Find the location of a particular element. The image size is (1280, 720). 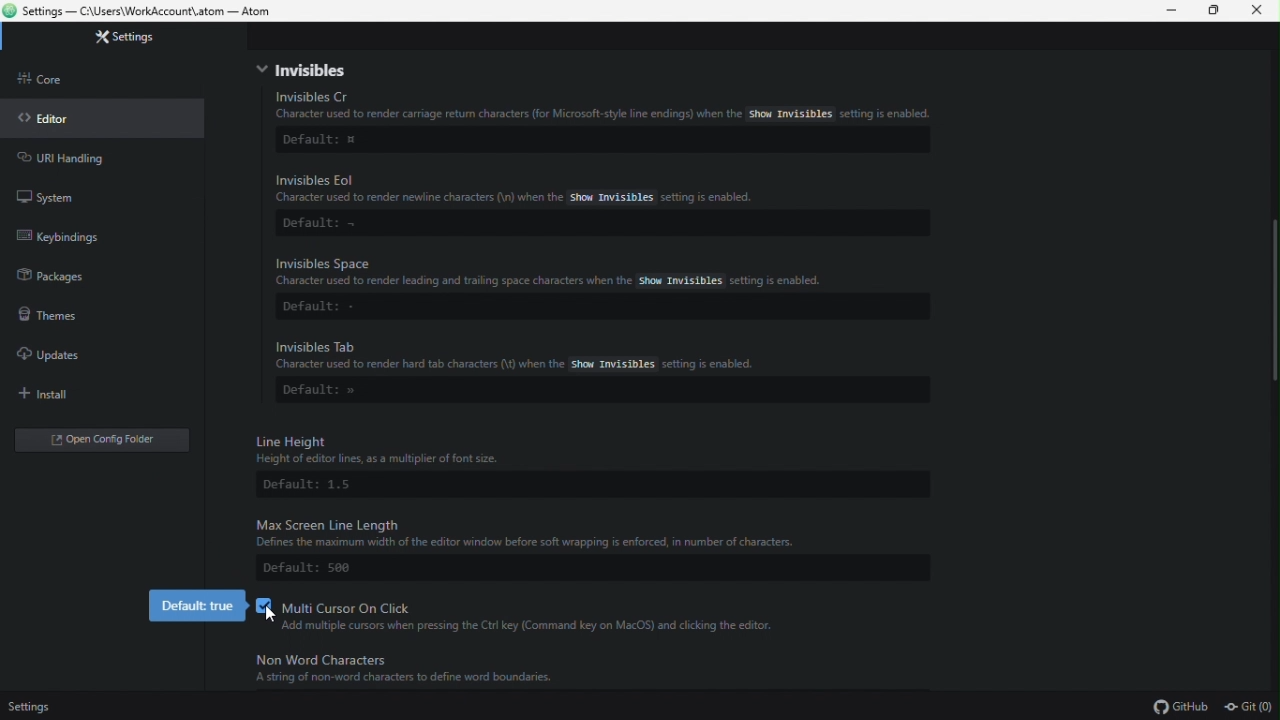

Non Word Characters
A string of non-word characters to define word boundaries. is located at coordinates (432, 670).